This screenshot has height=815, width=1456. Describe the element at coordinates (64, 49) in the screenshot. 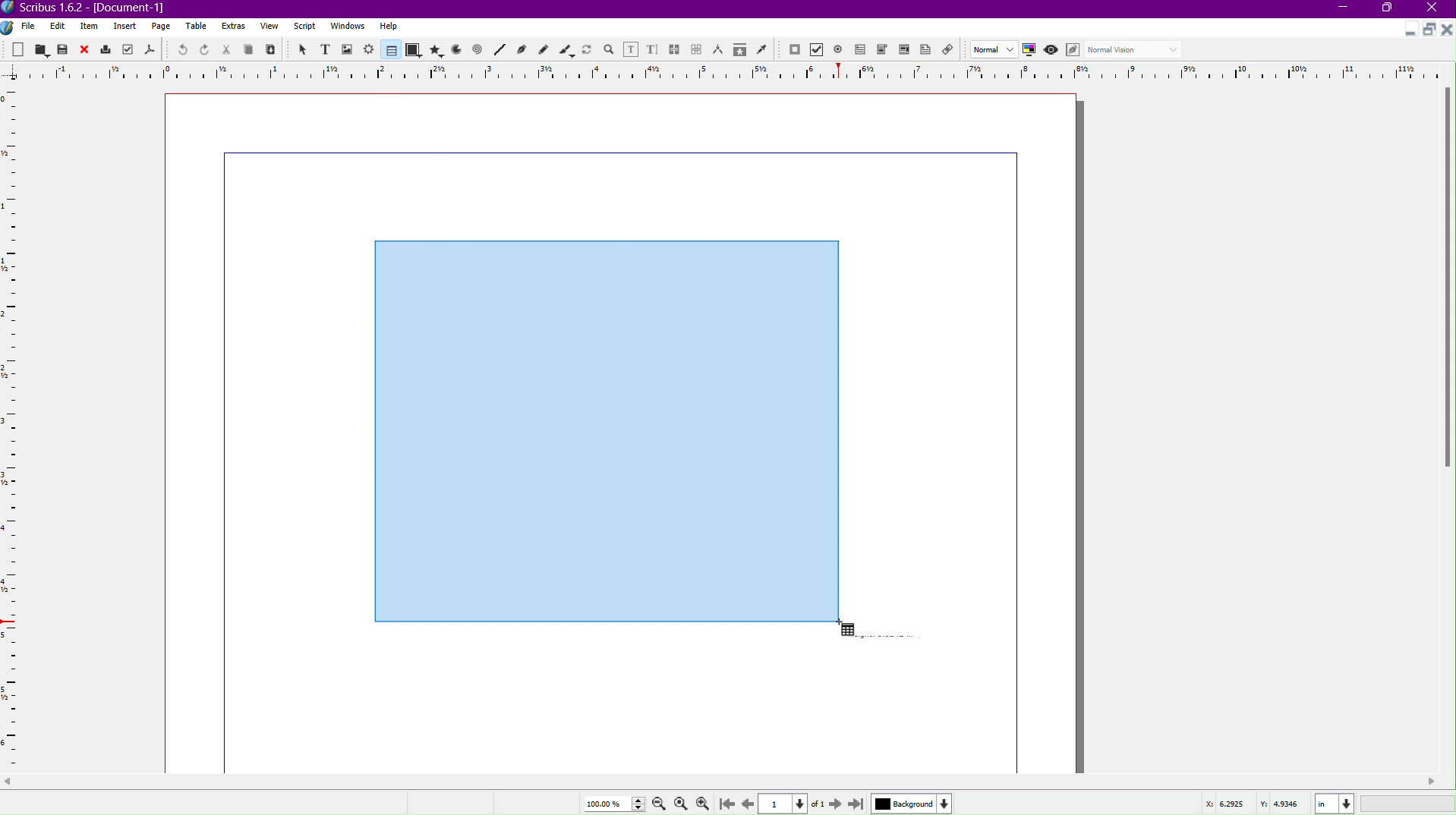

I see `Save` at that location.